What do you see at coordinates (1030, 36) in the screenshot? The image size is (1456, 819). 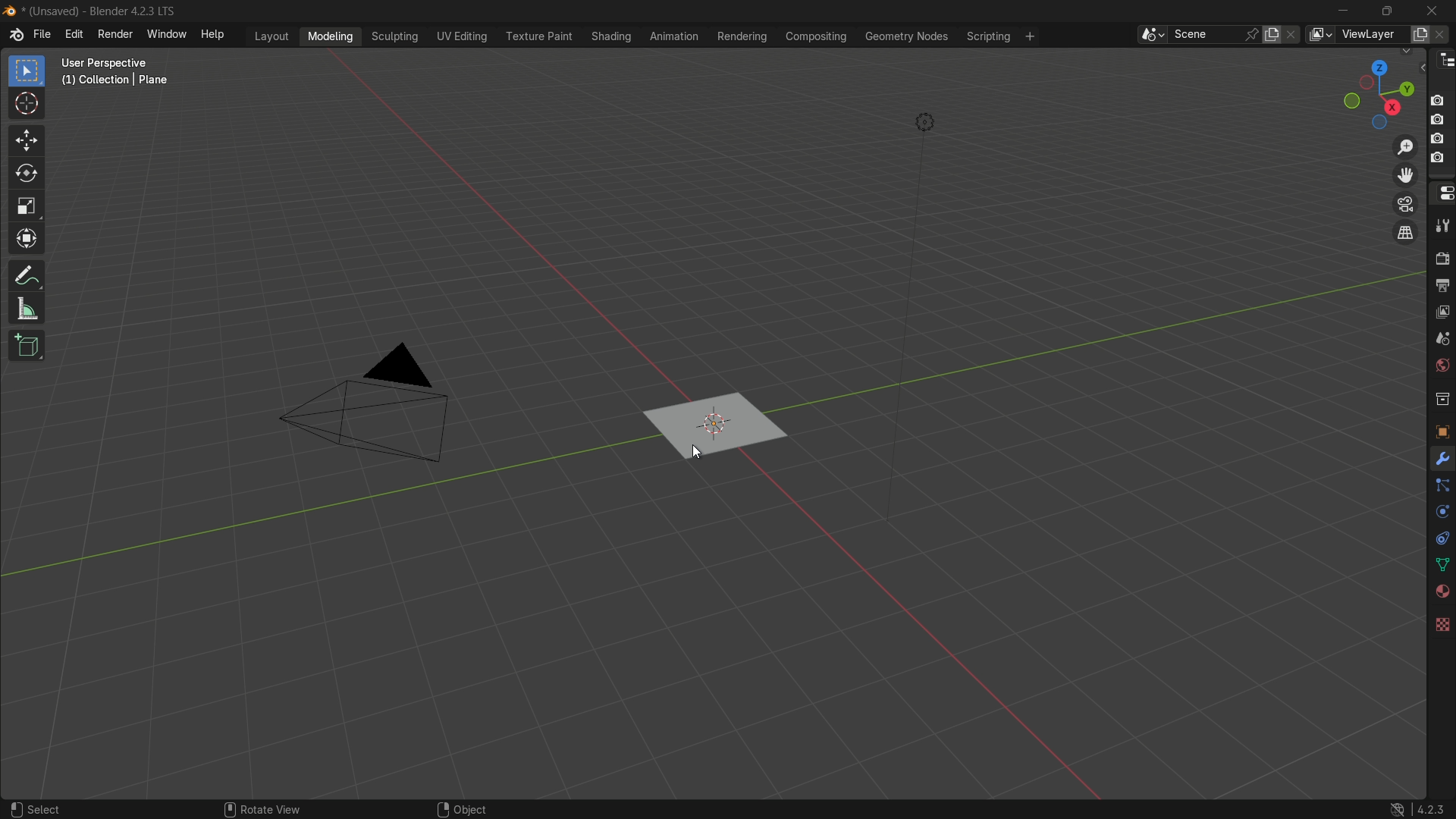 I see `add workplace` at bounding box center [1030, 36].